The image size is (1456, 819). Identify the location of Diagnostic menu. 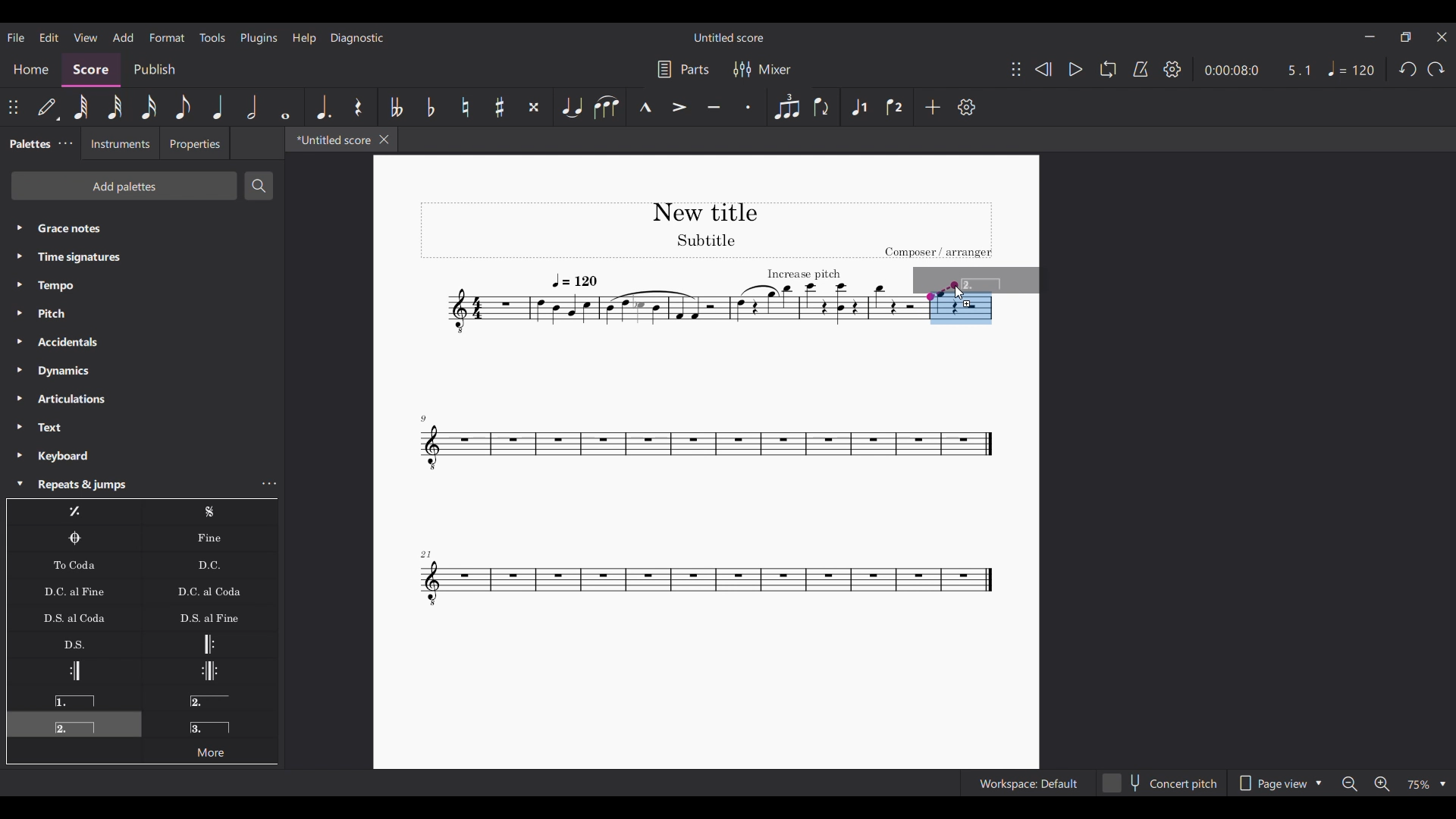
(357, 39).